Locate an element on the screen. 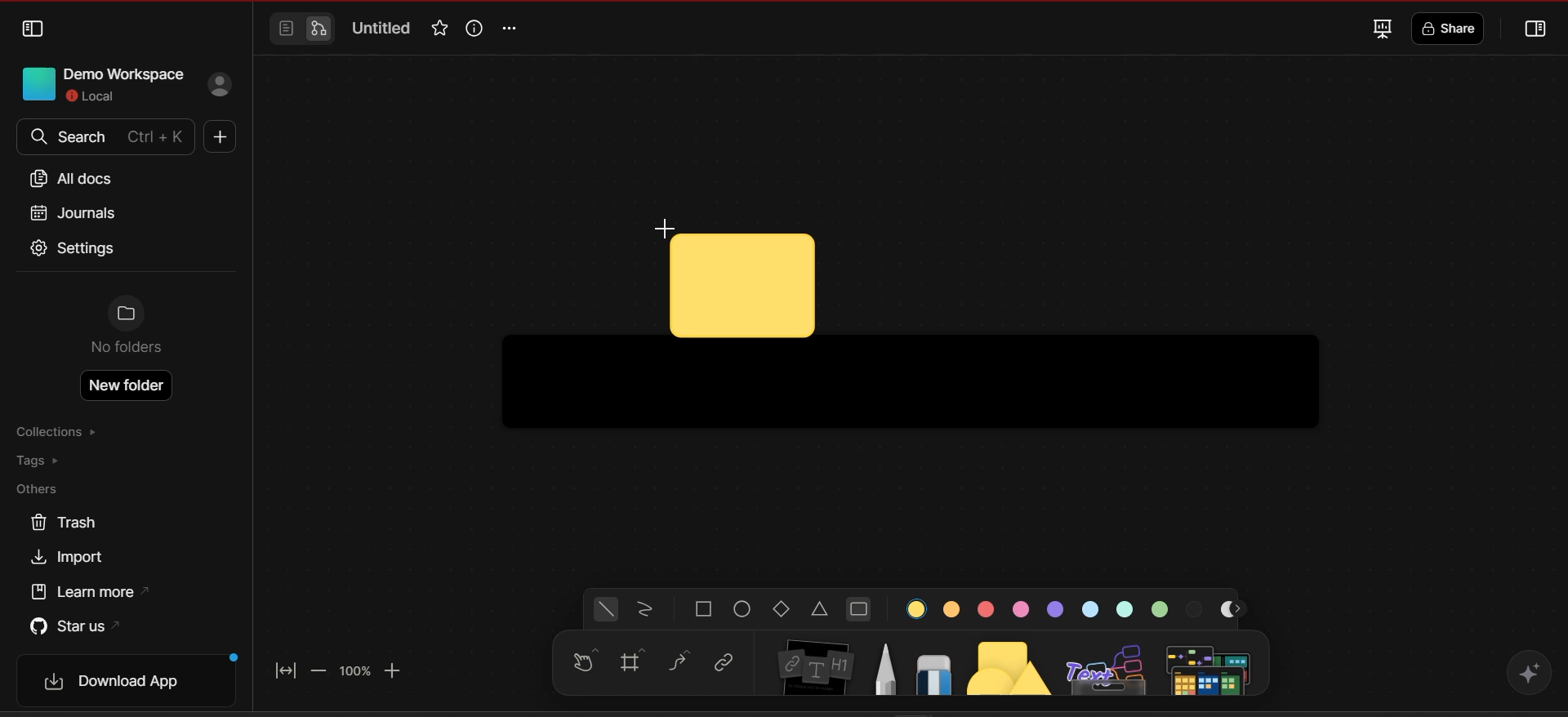 Image resolution: width=1568 pixels, height=717 pixels. New folder is located at coordinates (128, 385).